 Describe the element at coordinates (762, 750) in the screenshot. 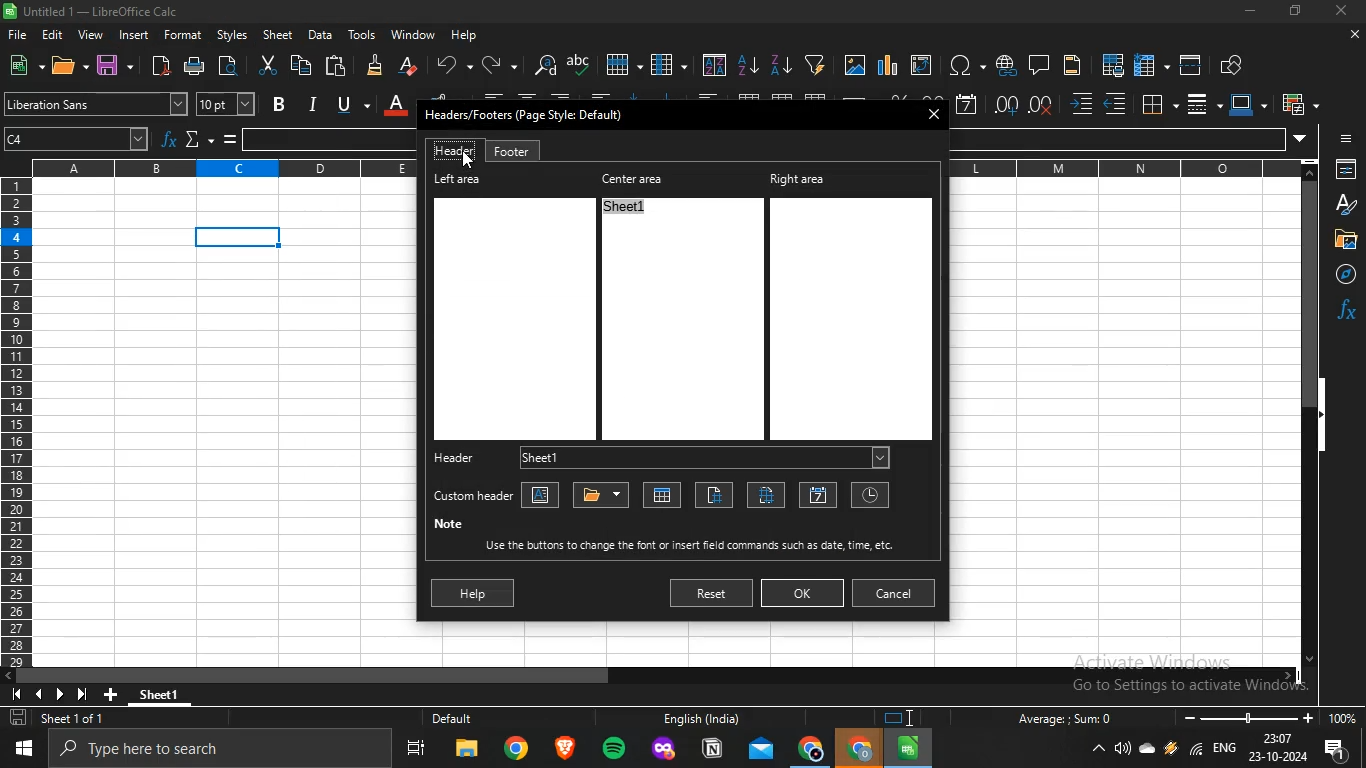

I see `outlook` at that location.